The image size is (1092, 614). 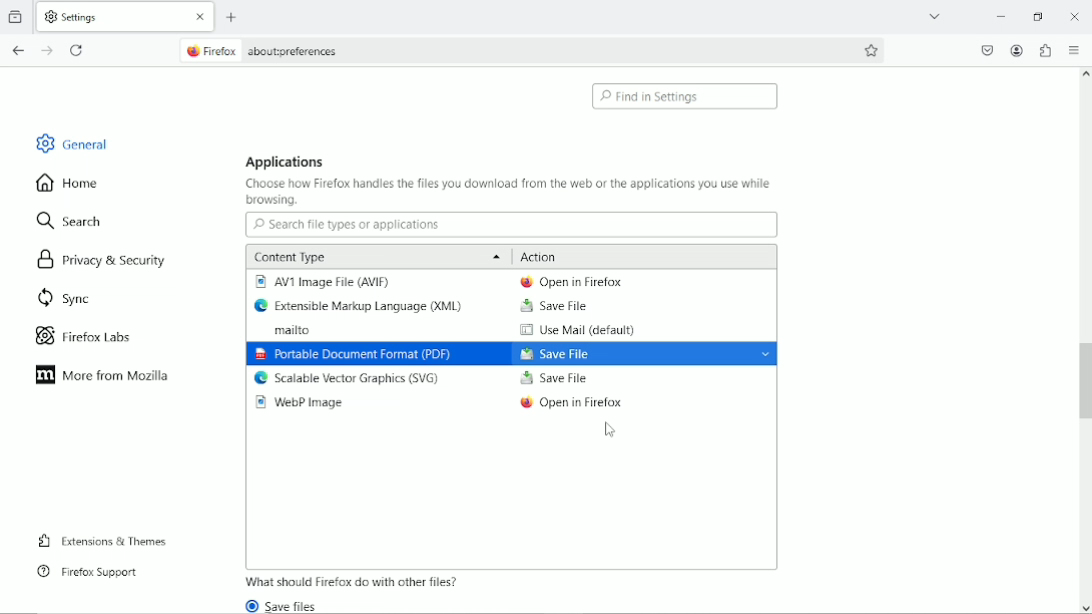 I want to click on Sync, so click(x=62, y=299).